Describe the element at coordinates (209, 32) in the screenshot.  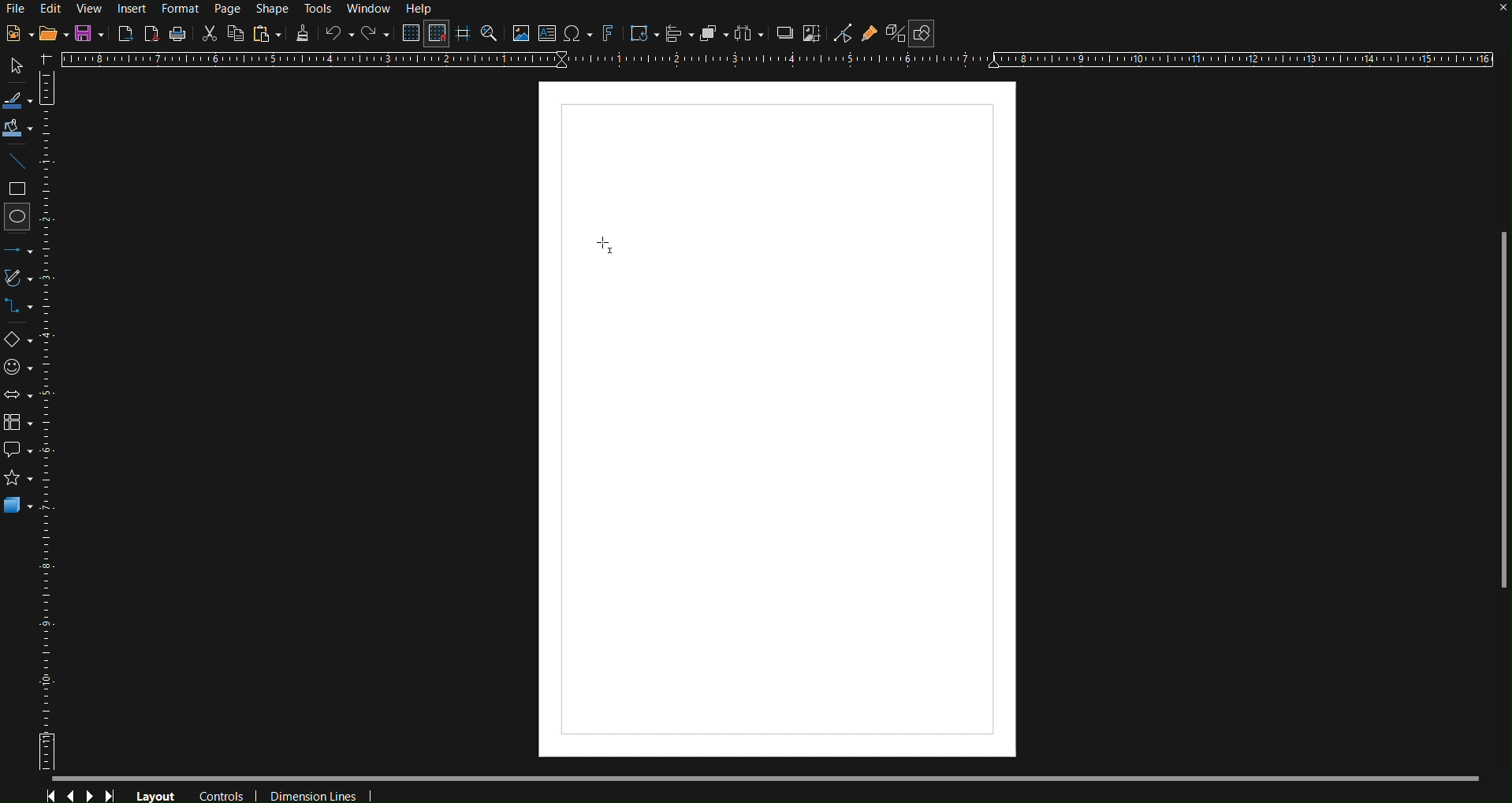
I see `Cut` at that location.